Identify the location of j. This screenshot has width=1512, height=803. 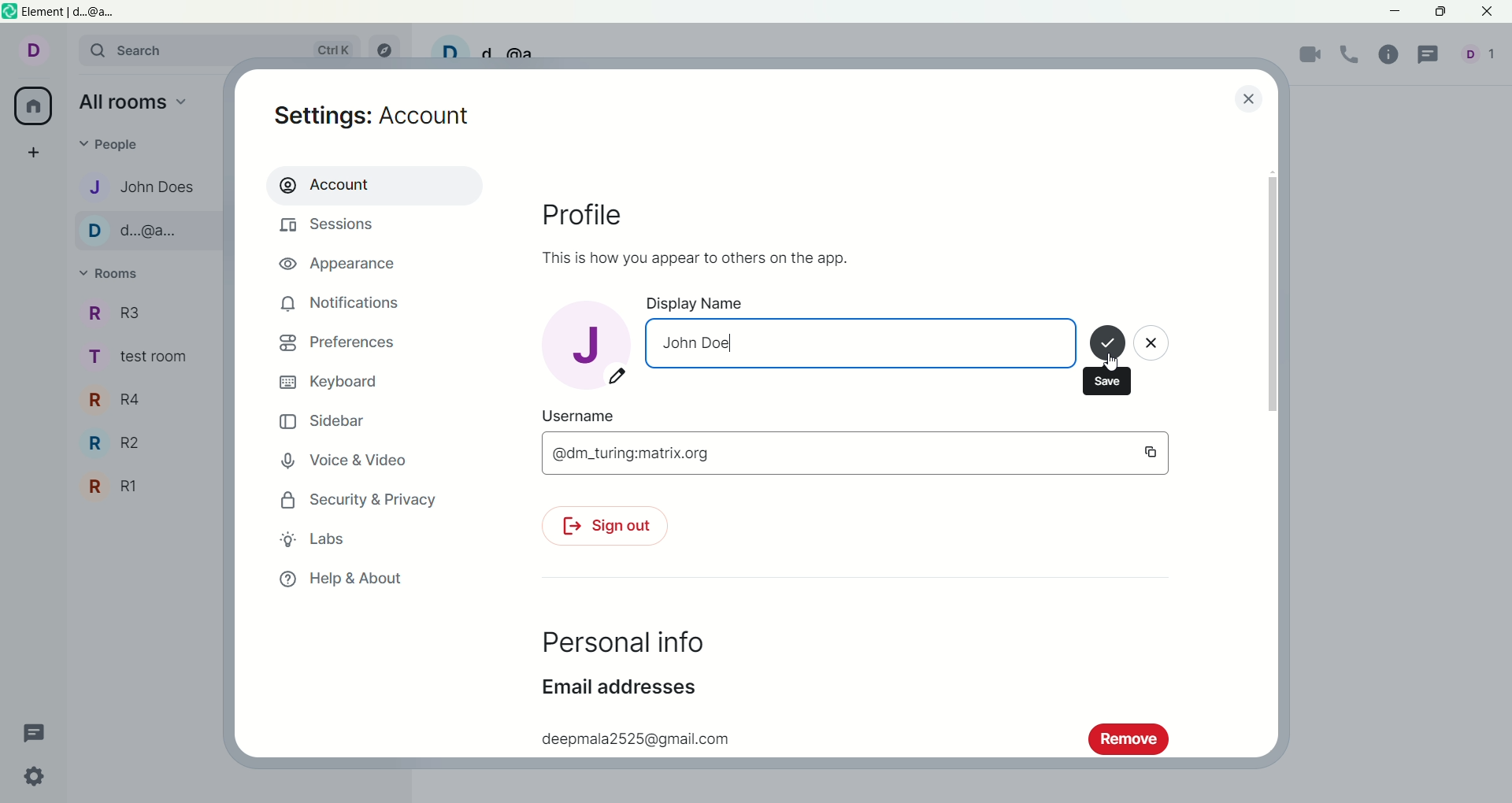
(585, 342).